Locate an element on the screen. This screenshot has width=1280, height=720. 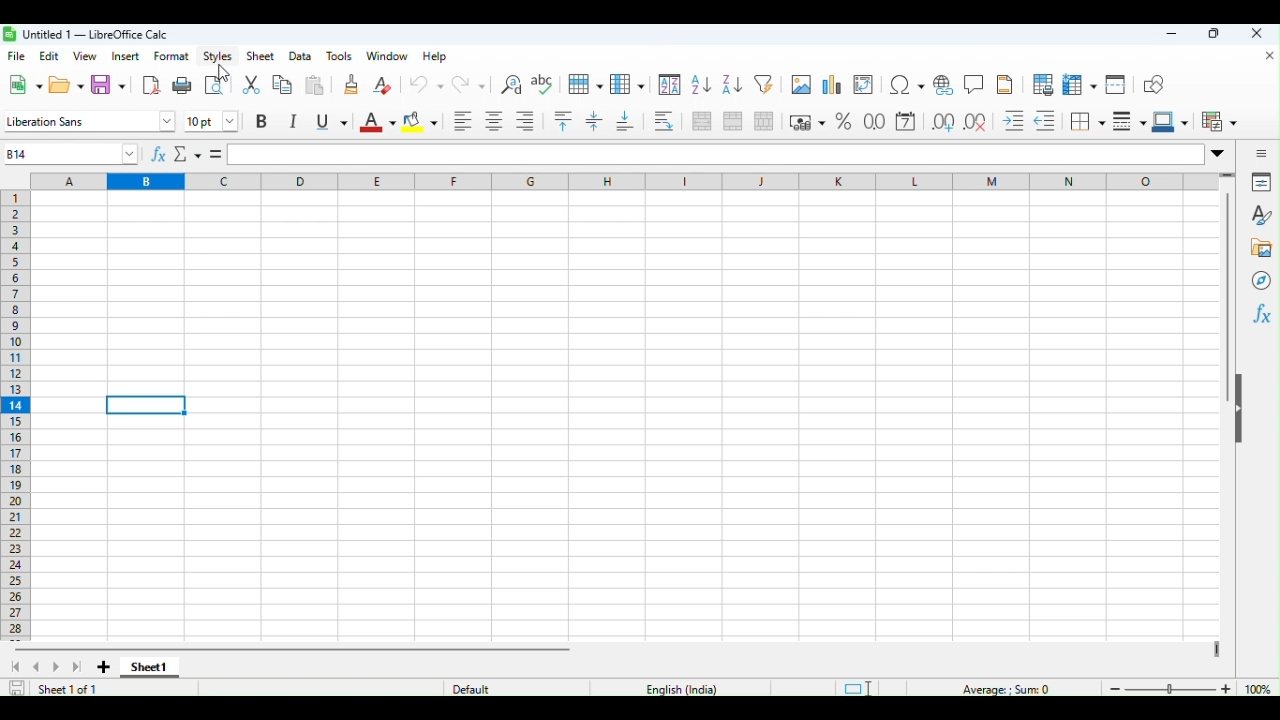
Collapse is located at coordinates (1246, 412).